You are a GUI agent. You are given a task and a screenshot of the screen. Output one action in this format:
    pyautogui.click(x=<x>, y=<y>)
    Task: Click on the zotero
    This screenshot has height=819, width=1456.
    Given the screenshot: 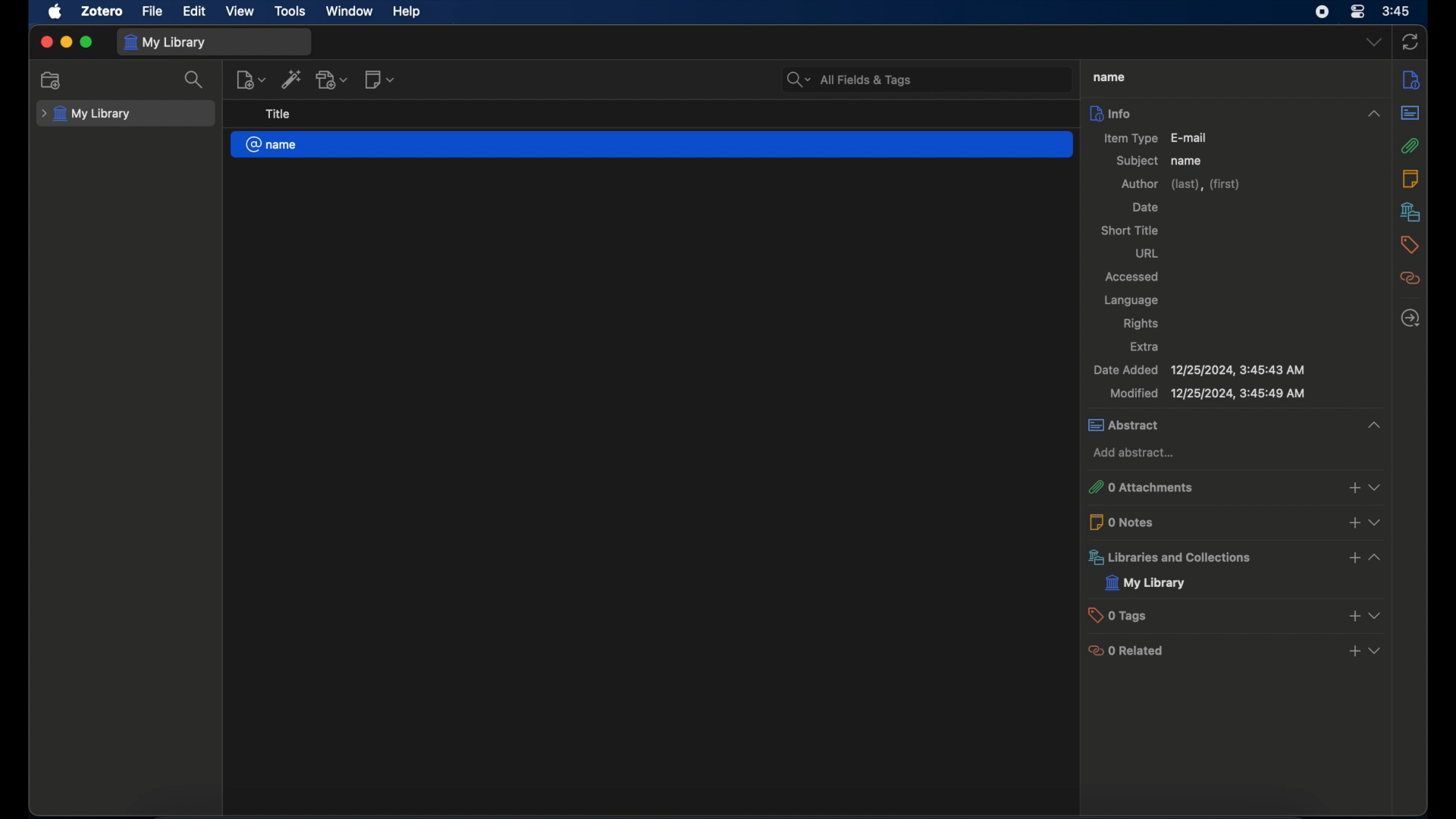 What is the action you would take?
    pyautogui.click(x=100, y=11)
    